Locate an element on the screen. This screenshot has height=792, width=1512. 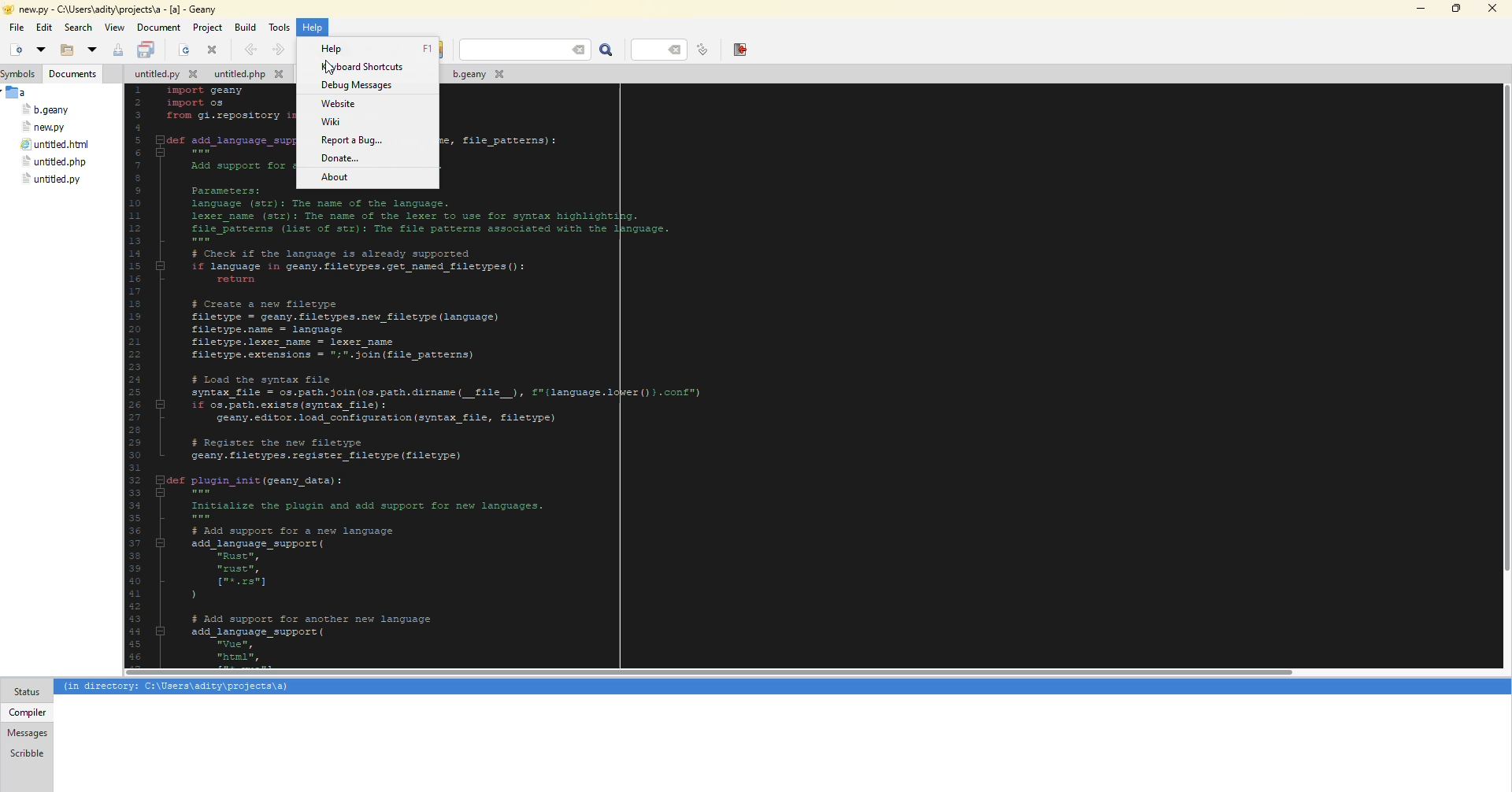
open is located at coordinates (184, 51).